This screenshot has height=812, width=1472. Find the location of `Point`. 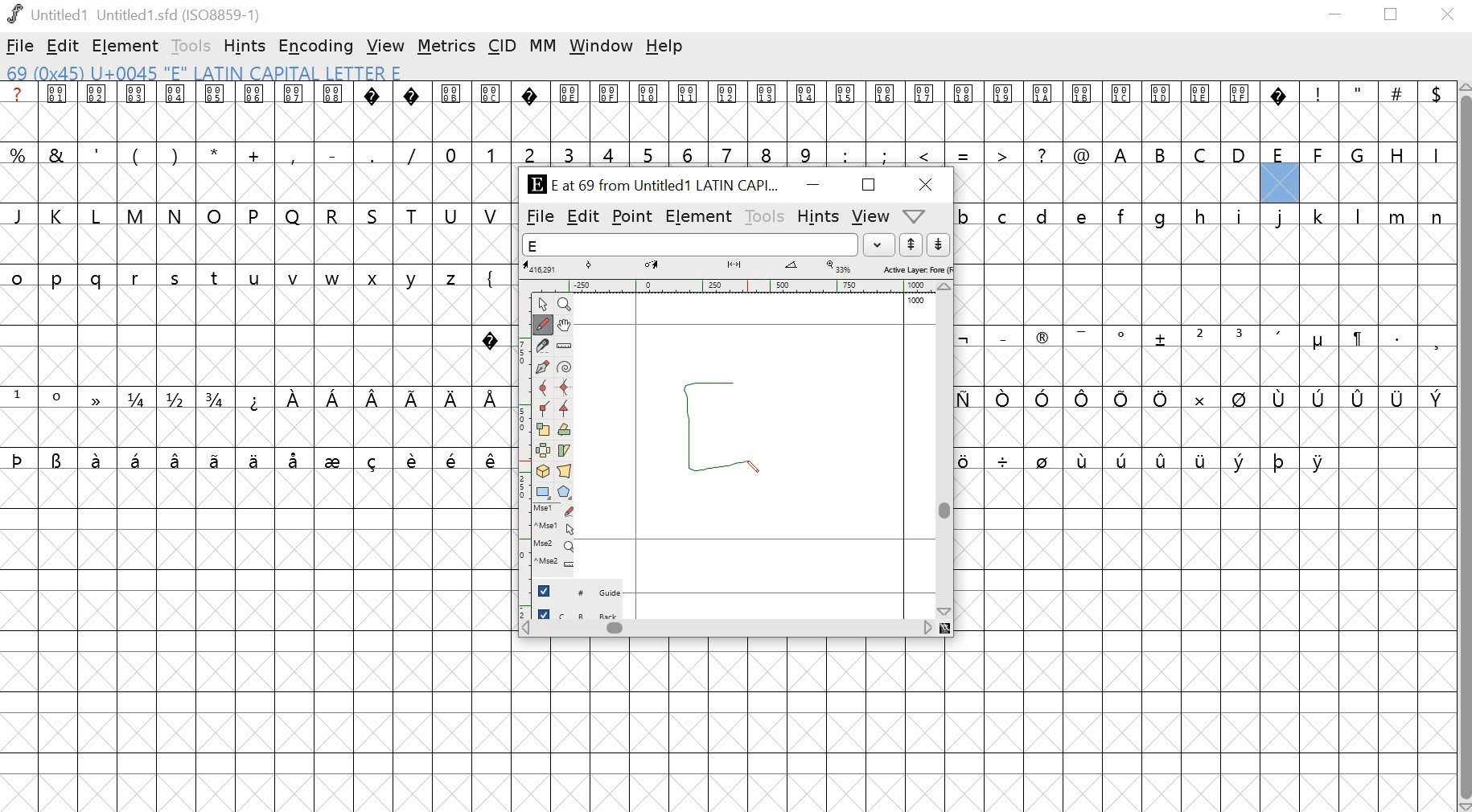

Point is located at coordinates (542, 305).